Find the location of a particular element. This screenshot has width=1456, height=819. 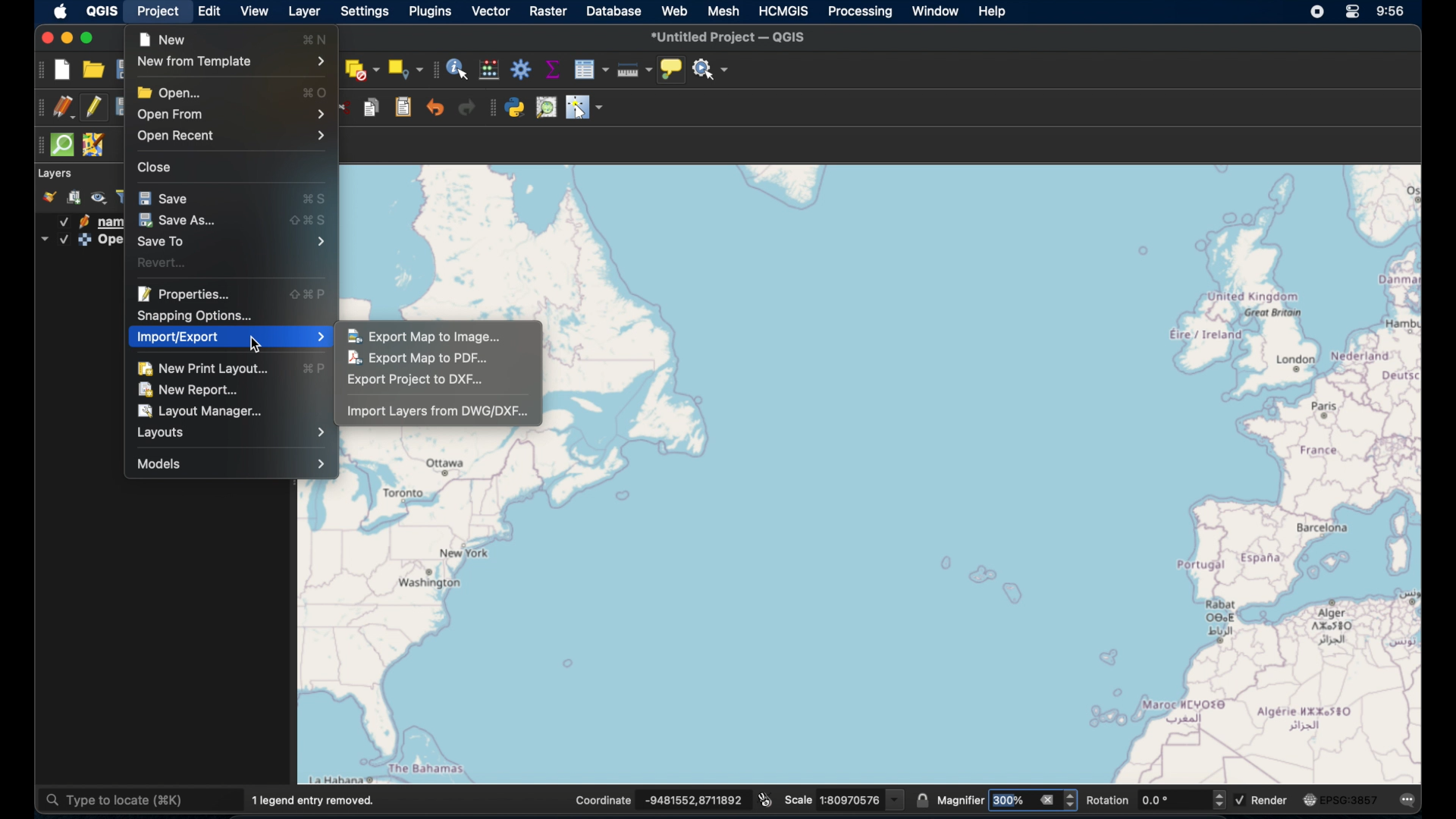

show map tips is located at coordinates (673, 70).